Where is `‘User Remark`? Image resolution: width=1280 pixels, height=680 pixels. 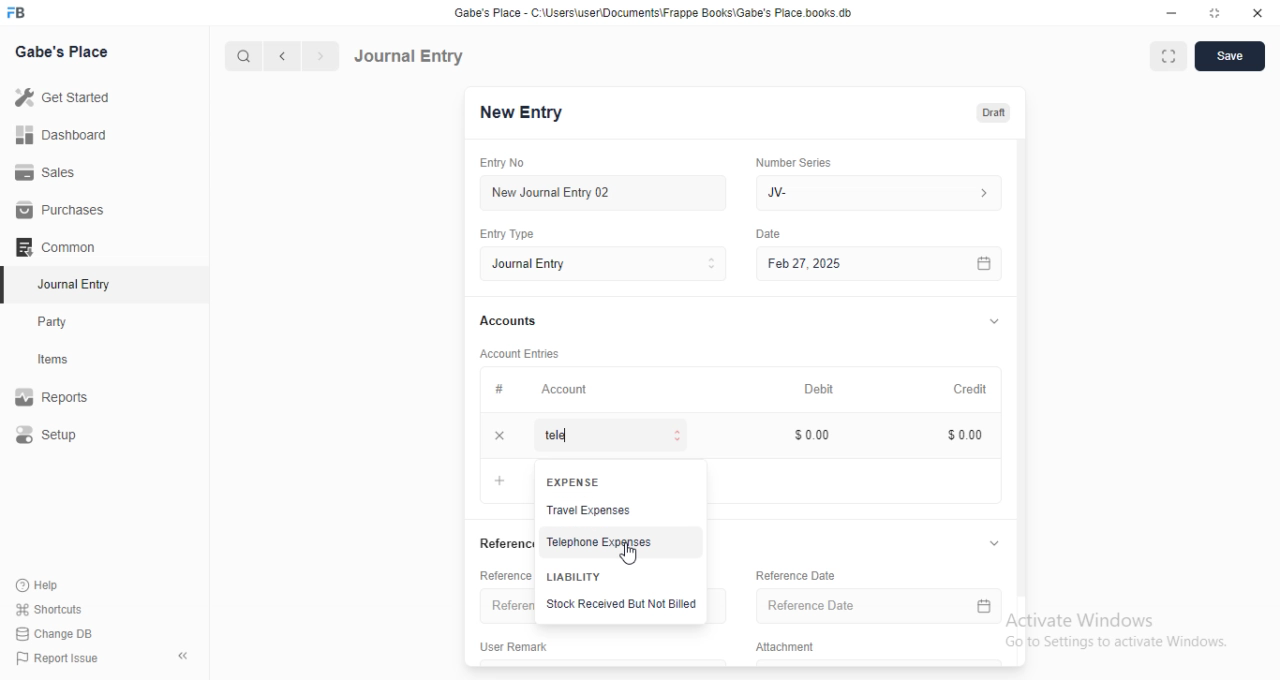
‘User Remark is located at coordinates (515, 645).